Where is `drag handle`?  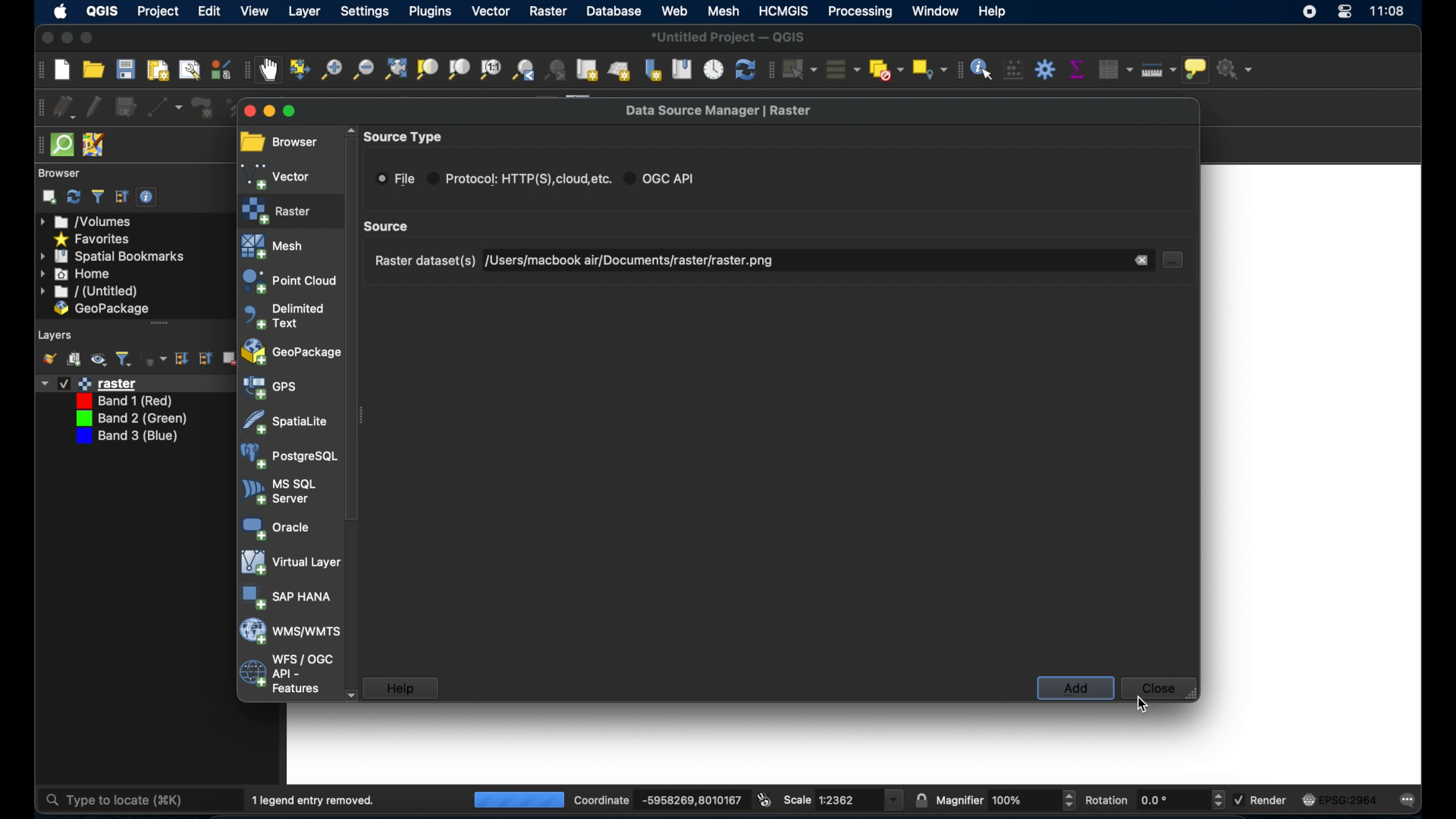
drag handle is located at coordinates (160, 322).